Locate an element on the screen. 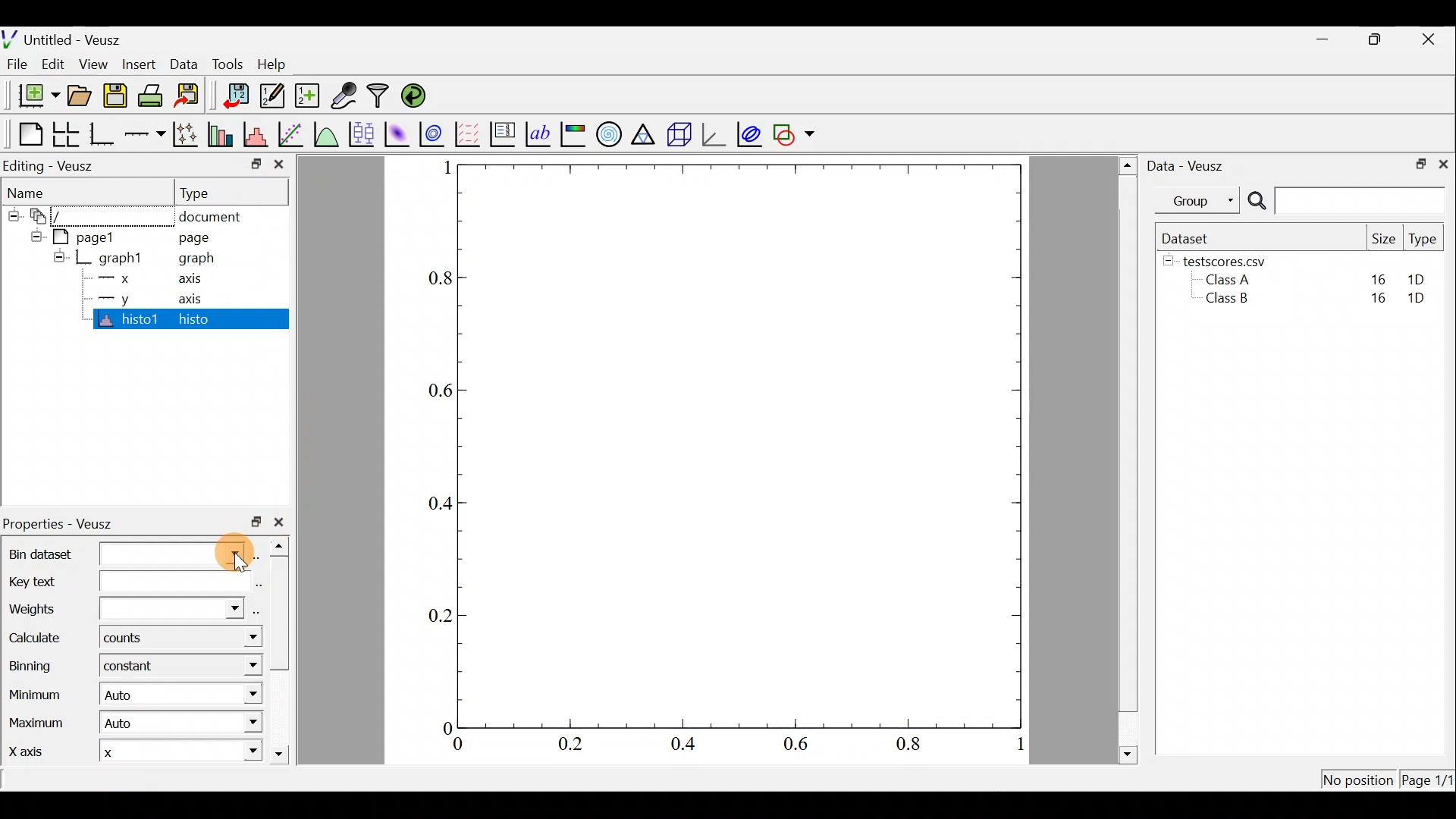 The width and height of the screenshot is (1456, 819). Insert is located at coordinates (135, 62).